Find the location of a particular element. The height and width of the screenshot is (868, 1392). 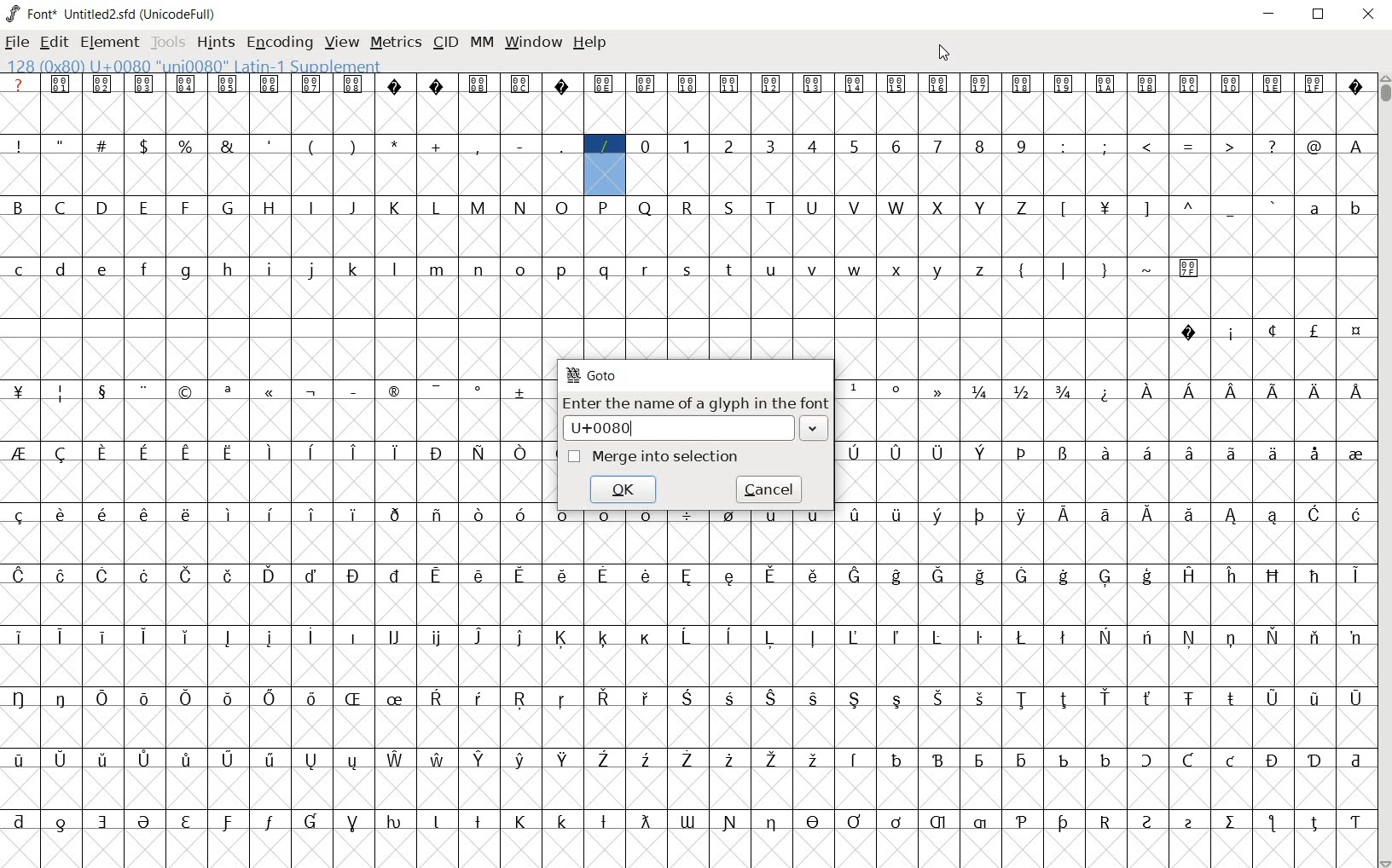

glyph is located at coordinates (561, 638).